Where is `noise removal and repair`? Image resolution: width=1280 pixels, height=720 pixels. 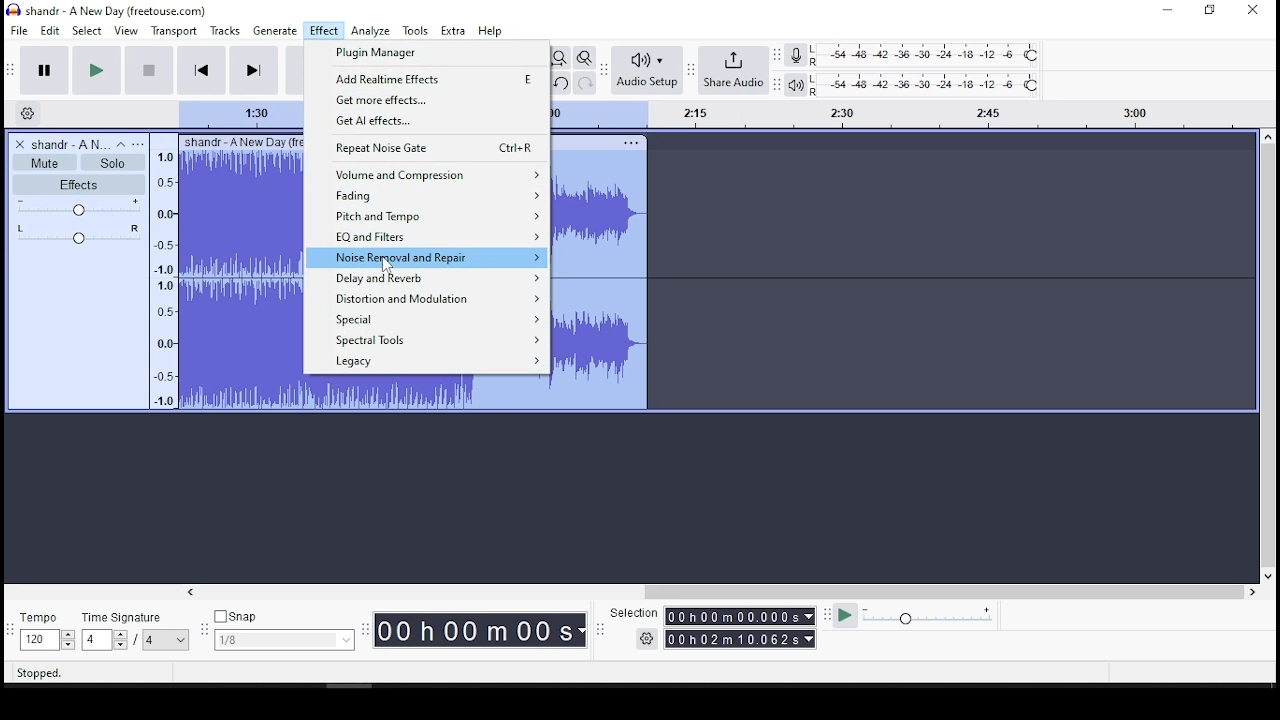
noise removal and repair is located at coordinates (425, 256).